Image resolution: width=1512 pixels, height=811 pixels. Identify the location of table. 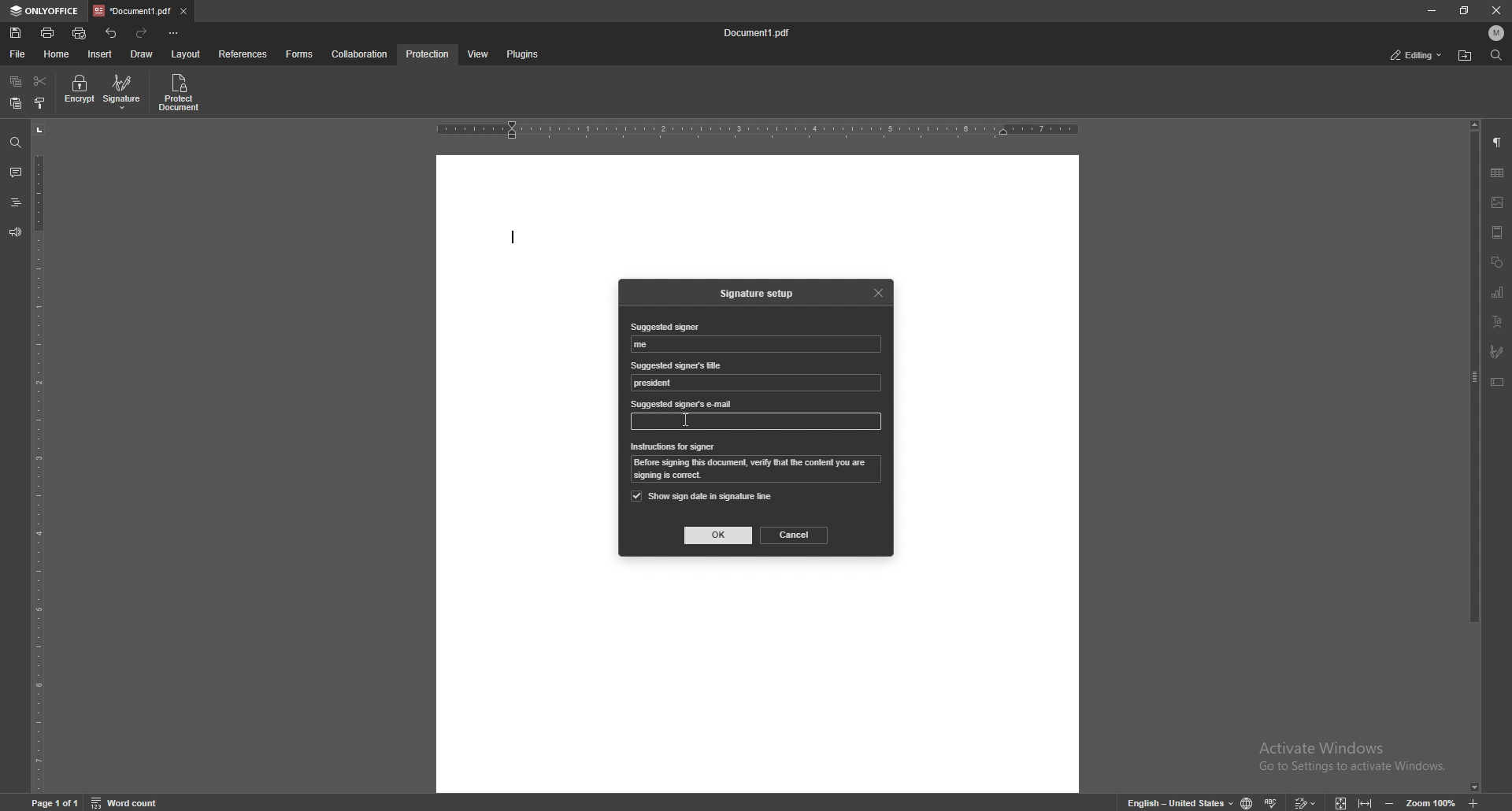
(1497, 173).